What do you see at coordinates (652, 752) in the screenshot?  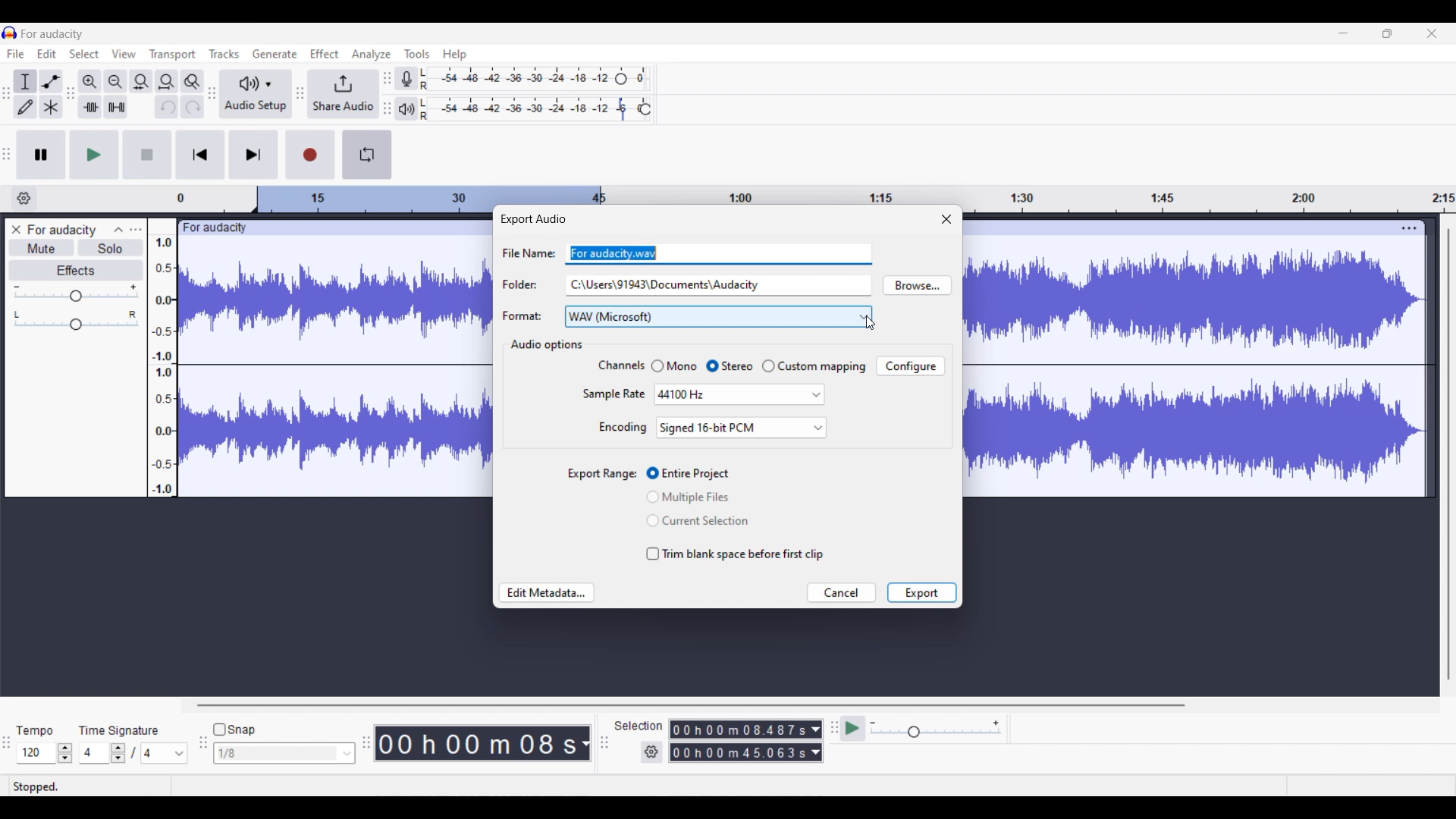 I see `Selection settings` at bounding box center [652, 752].